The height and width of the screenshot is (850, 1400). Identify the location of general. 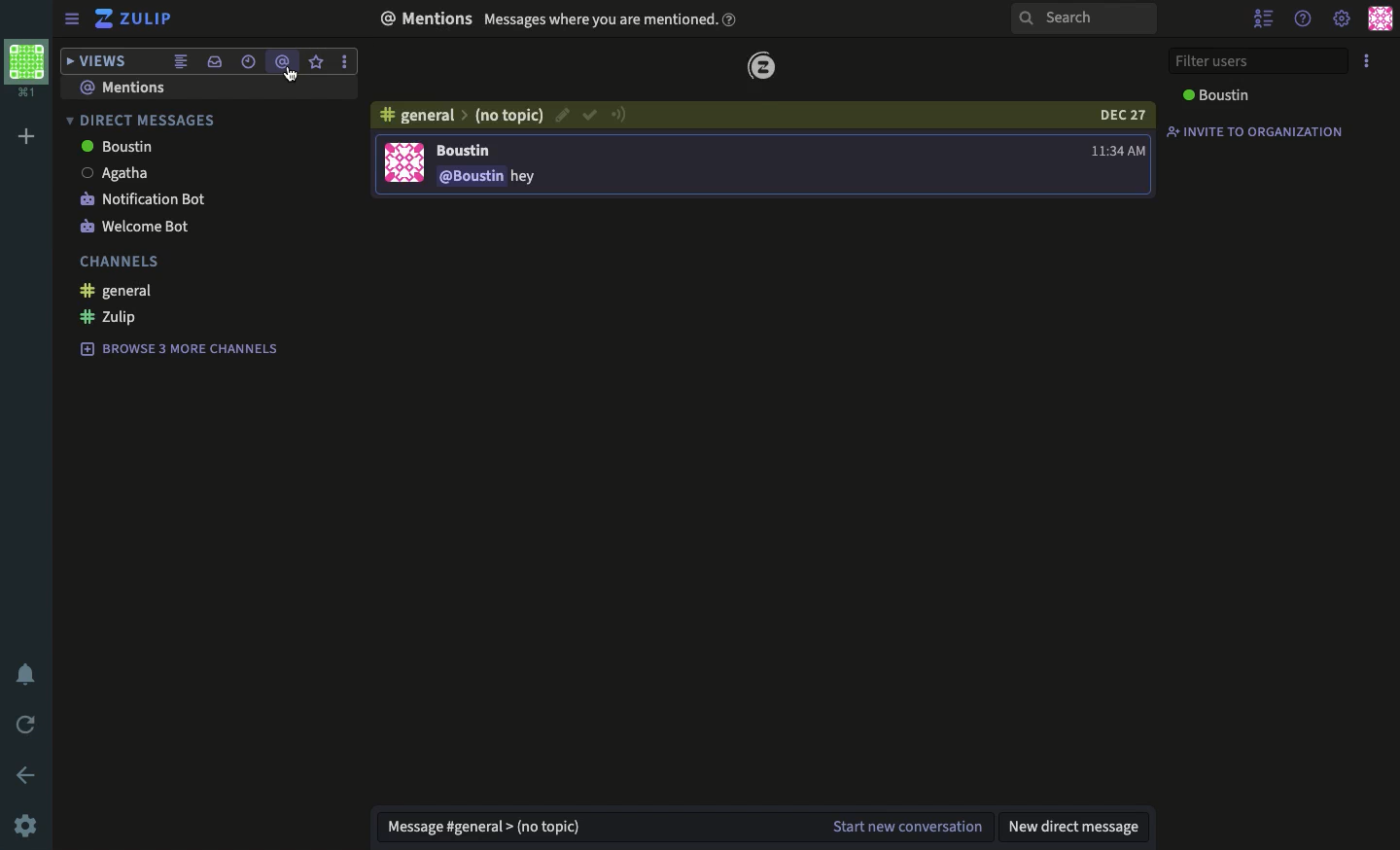
(121, 292).